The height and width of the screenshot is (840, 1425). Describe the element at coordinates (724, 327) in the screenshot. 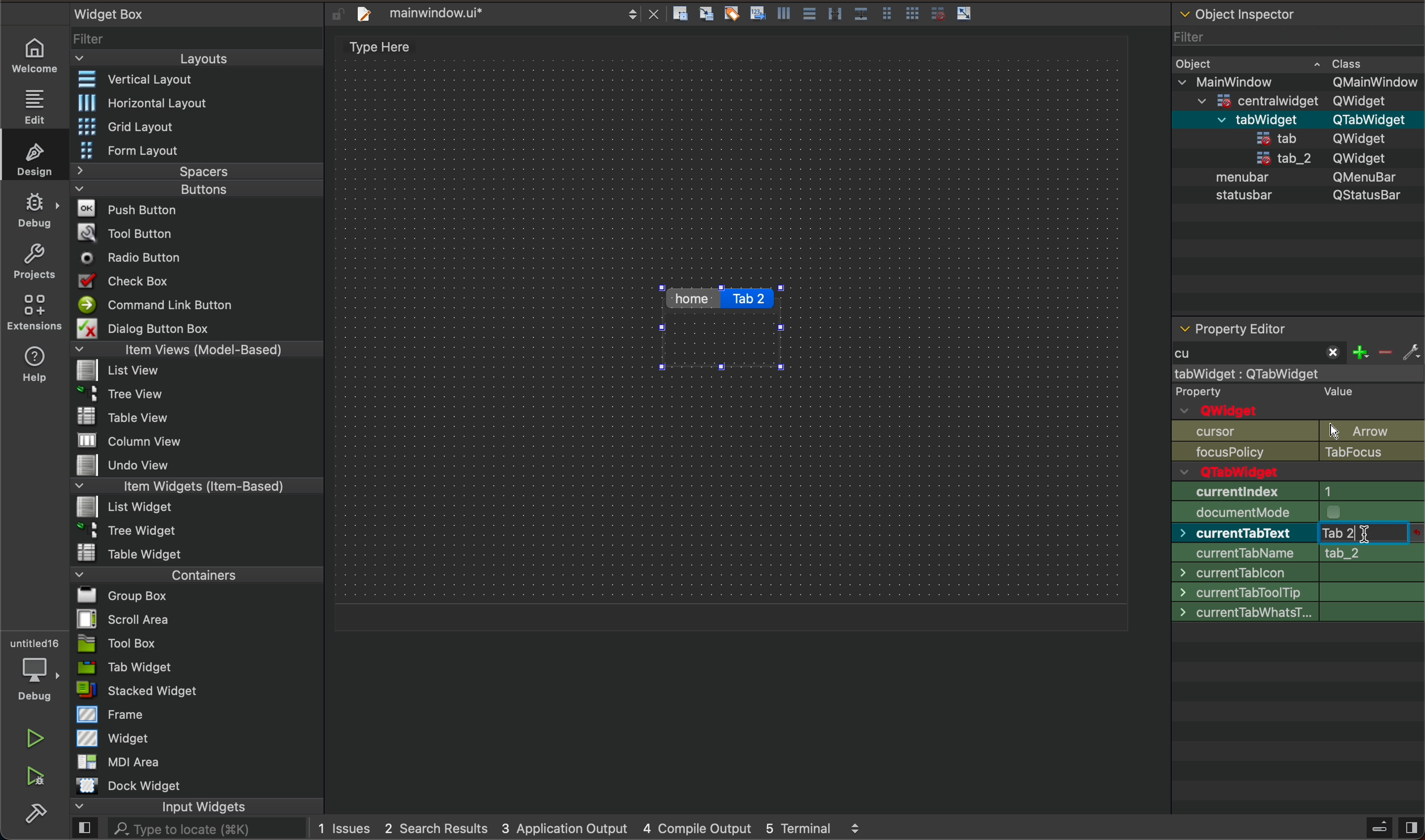

I see `tabs` at that location.